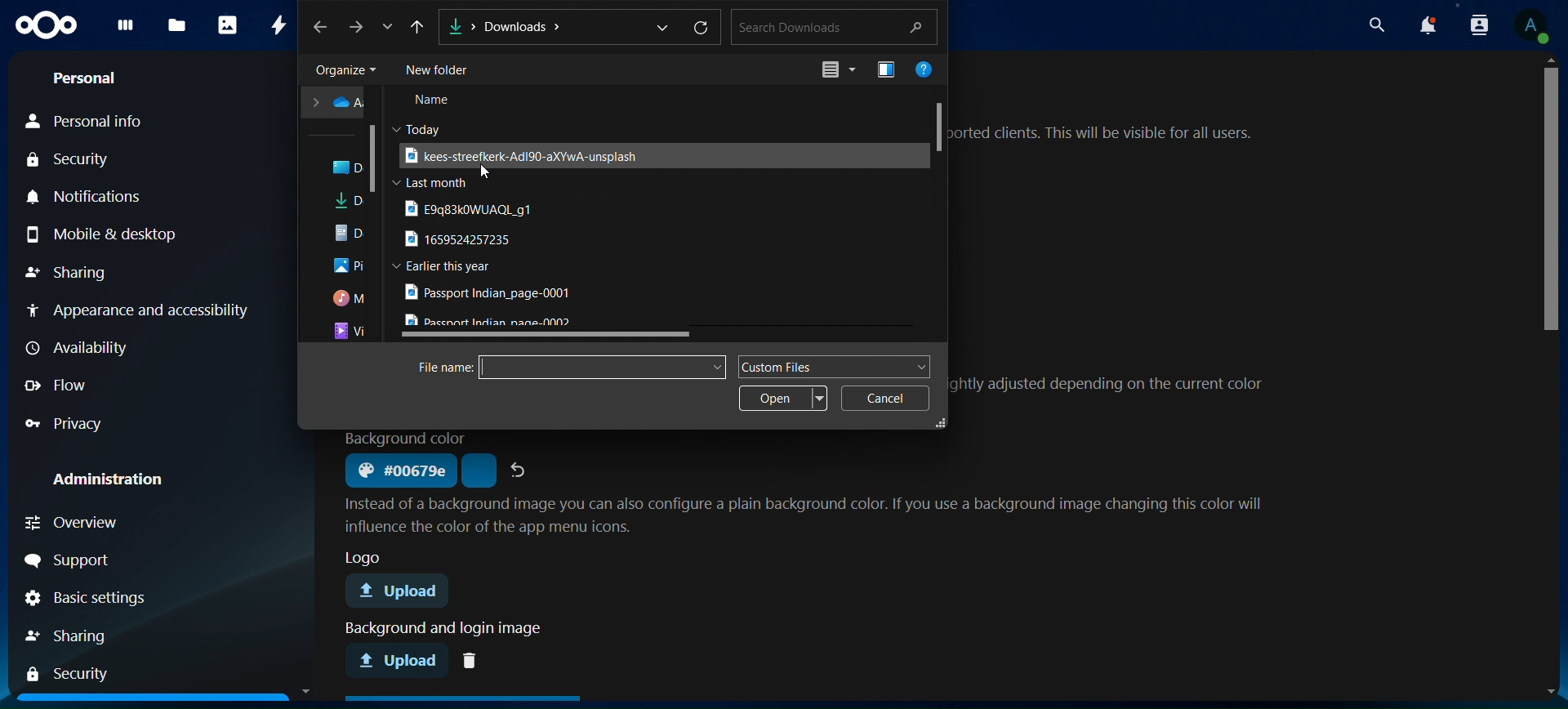 The width and height of the screenshot is (1568, 709). I want to click on icon, so click(888, 69).